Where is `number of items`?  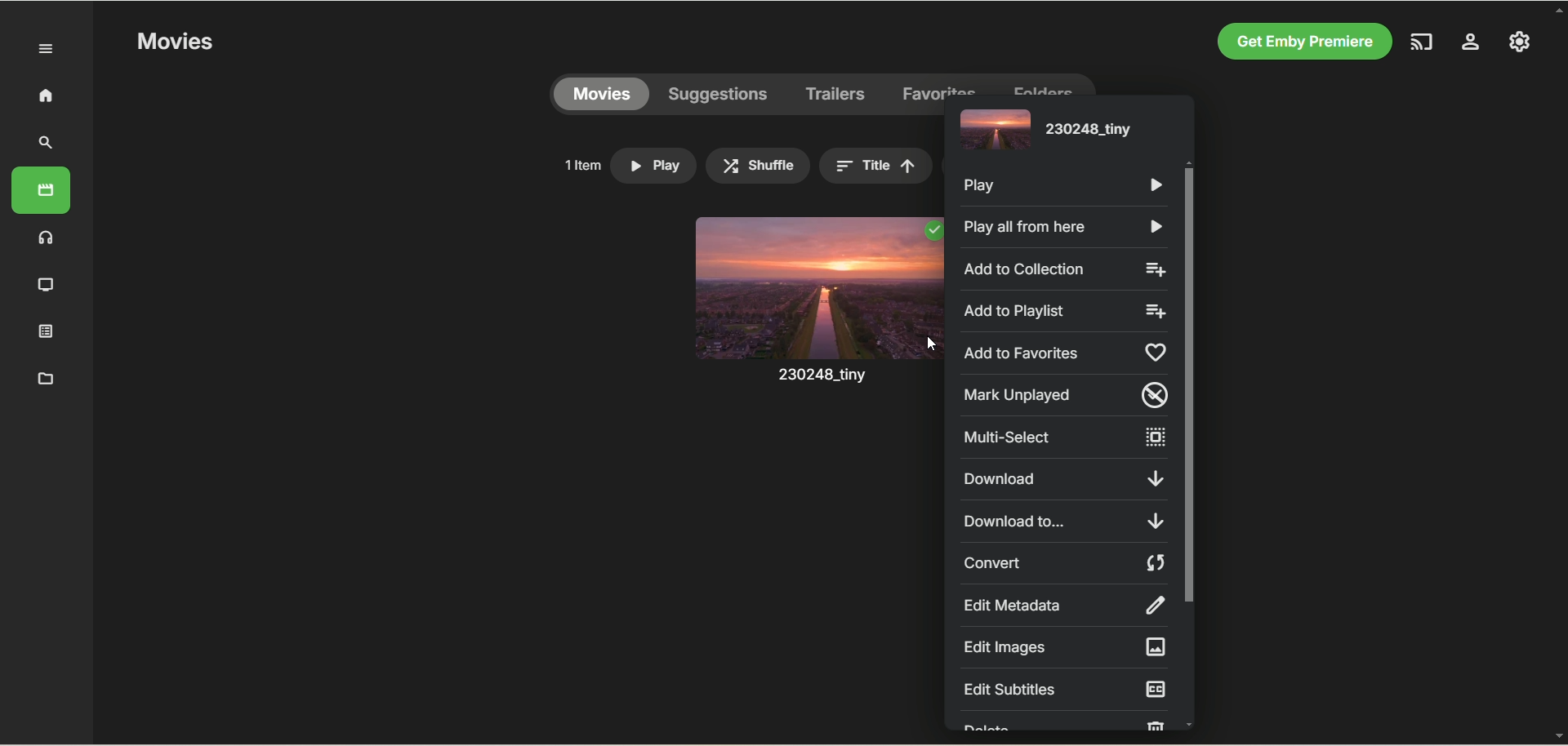
number of items is located at coordinates (581, 165).